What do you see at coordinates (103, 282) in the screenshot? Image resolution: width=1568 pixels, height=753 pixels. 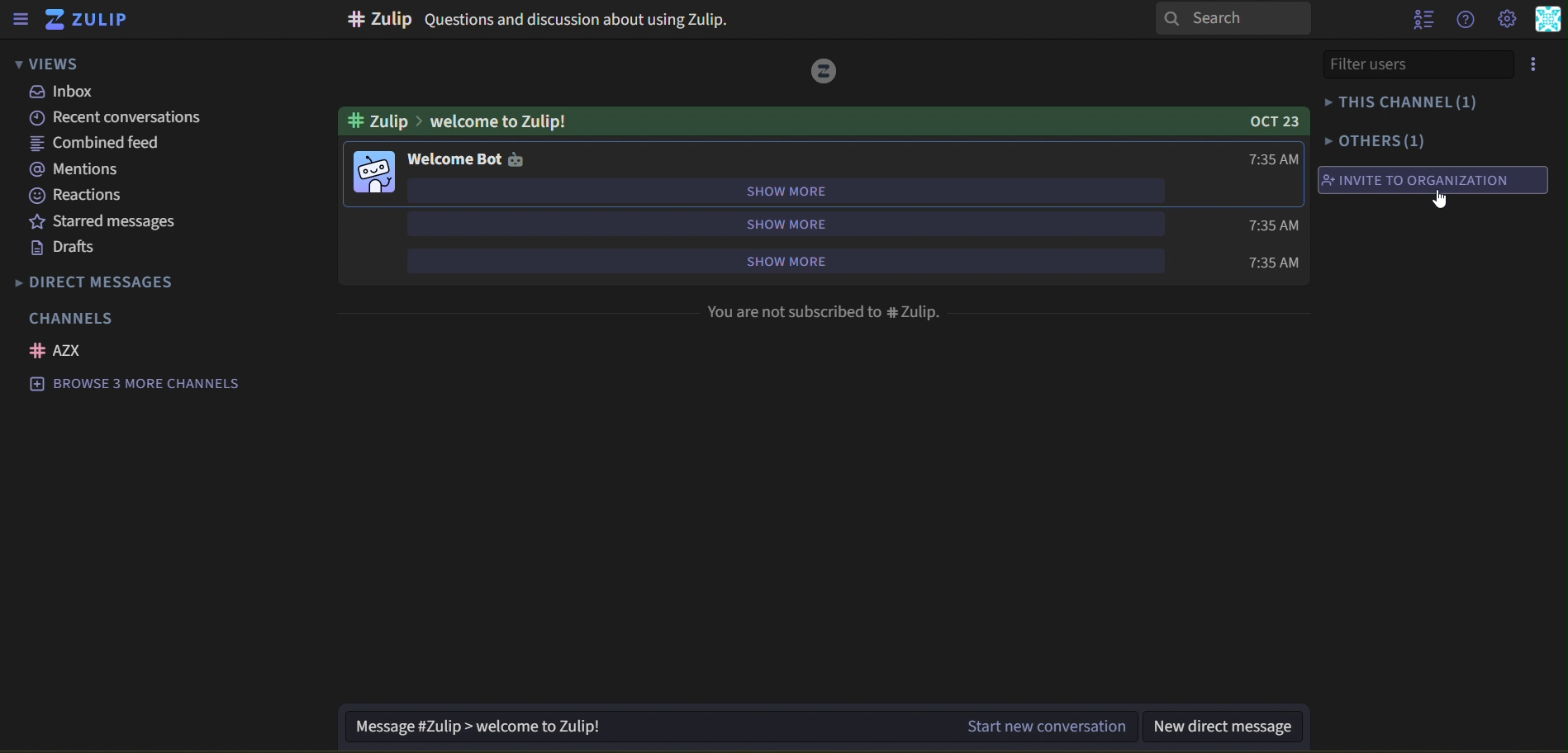 I see `direct messages` at bounding box center [103, 282].